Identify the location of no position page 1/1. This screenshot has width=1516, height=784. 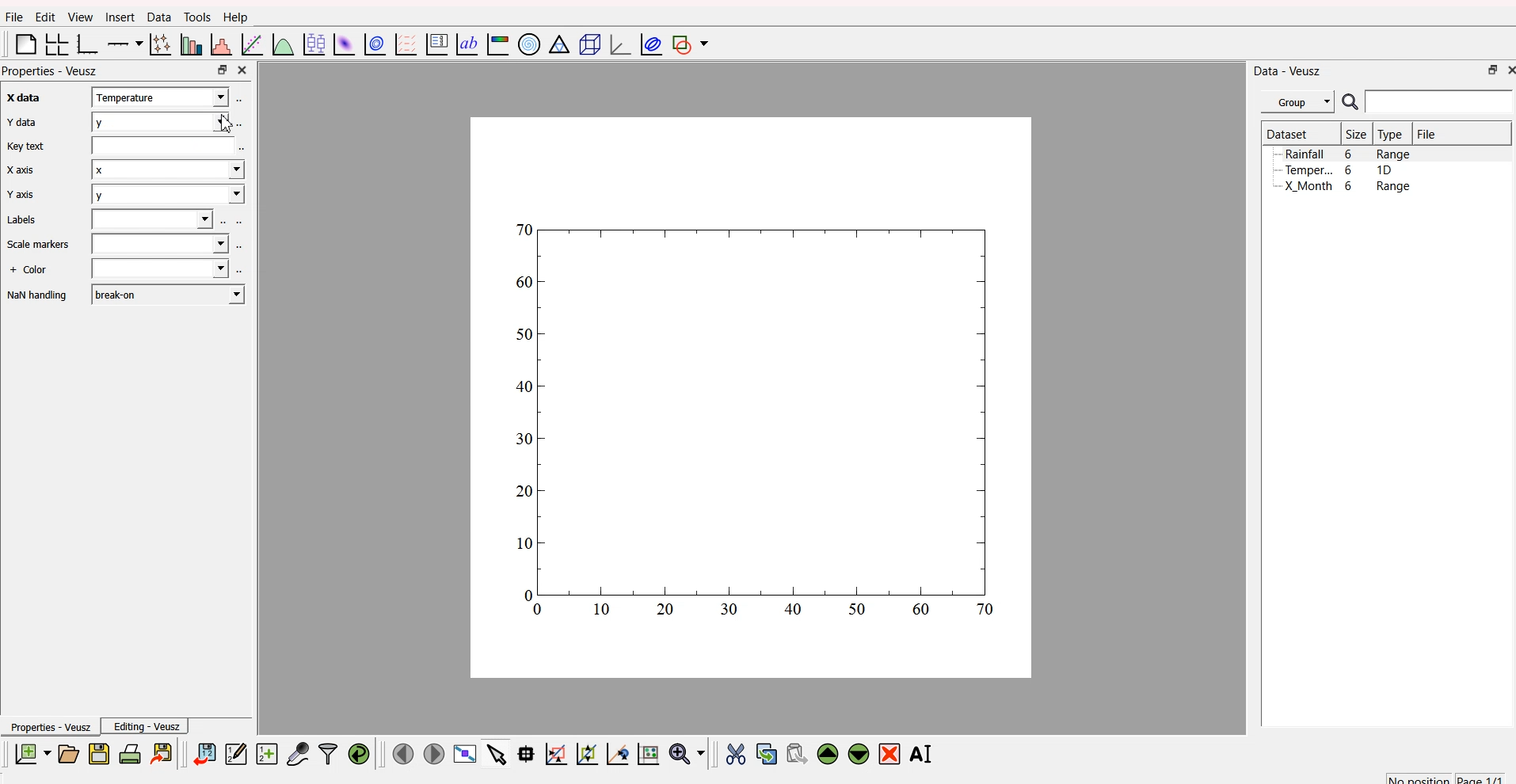
(1445, 775).